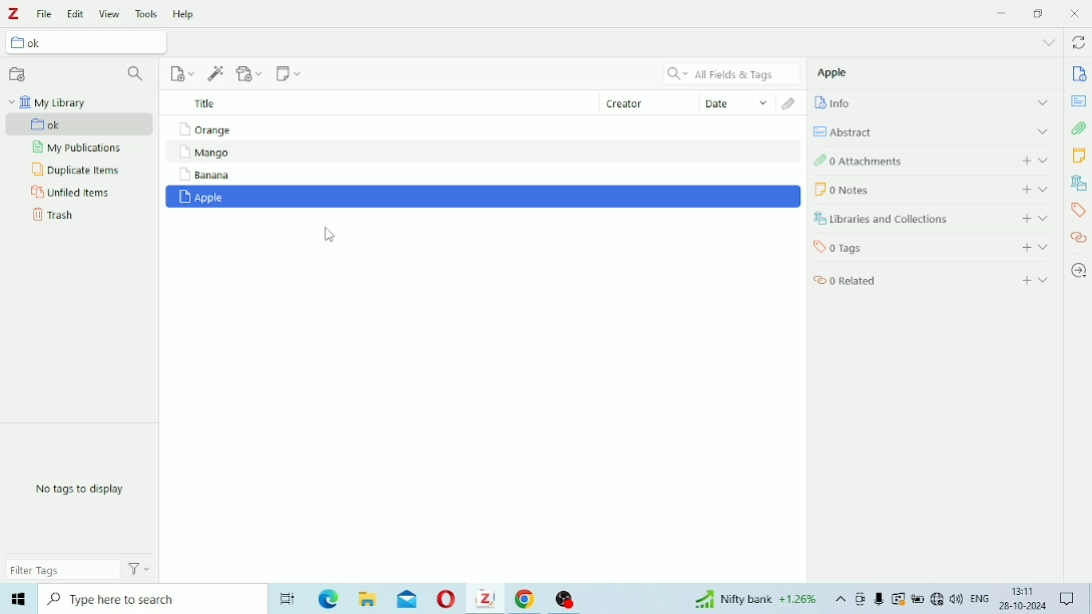 The height and width of the screenshot is (614, 1092). What do you see at coordinates (1081, 41) in the screenshot?
I see `Sync with zotero.org` at bounding box center [1081, 41].